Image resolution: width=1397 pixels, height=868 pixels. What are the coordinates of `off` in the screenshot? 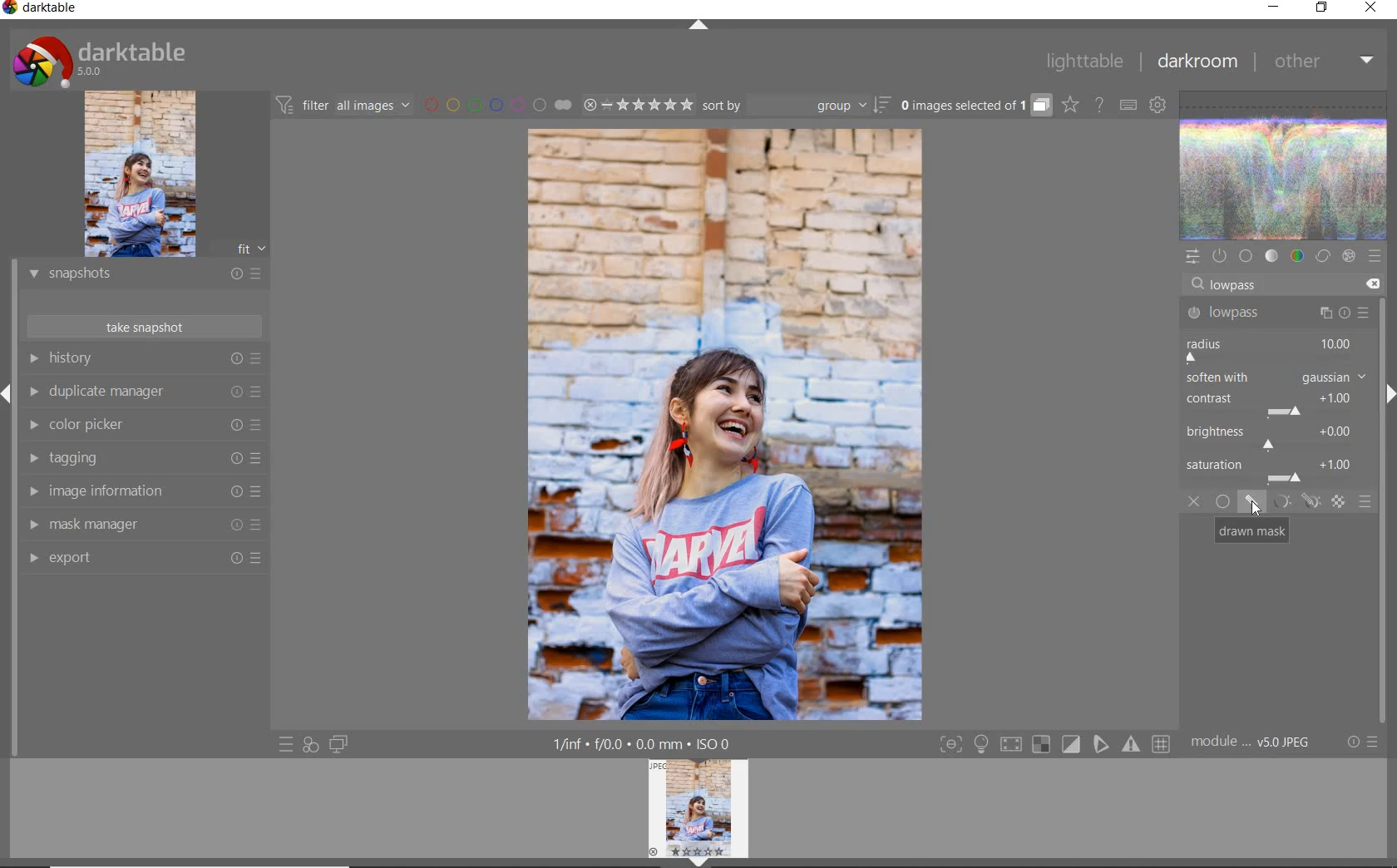 It's located at (1197, 503).